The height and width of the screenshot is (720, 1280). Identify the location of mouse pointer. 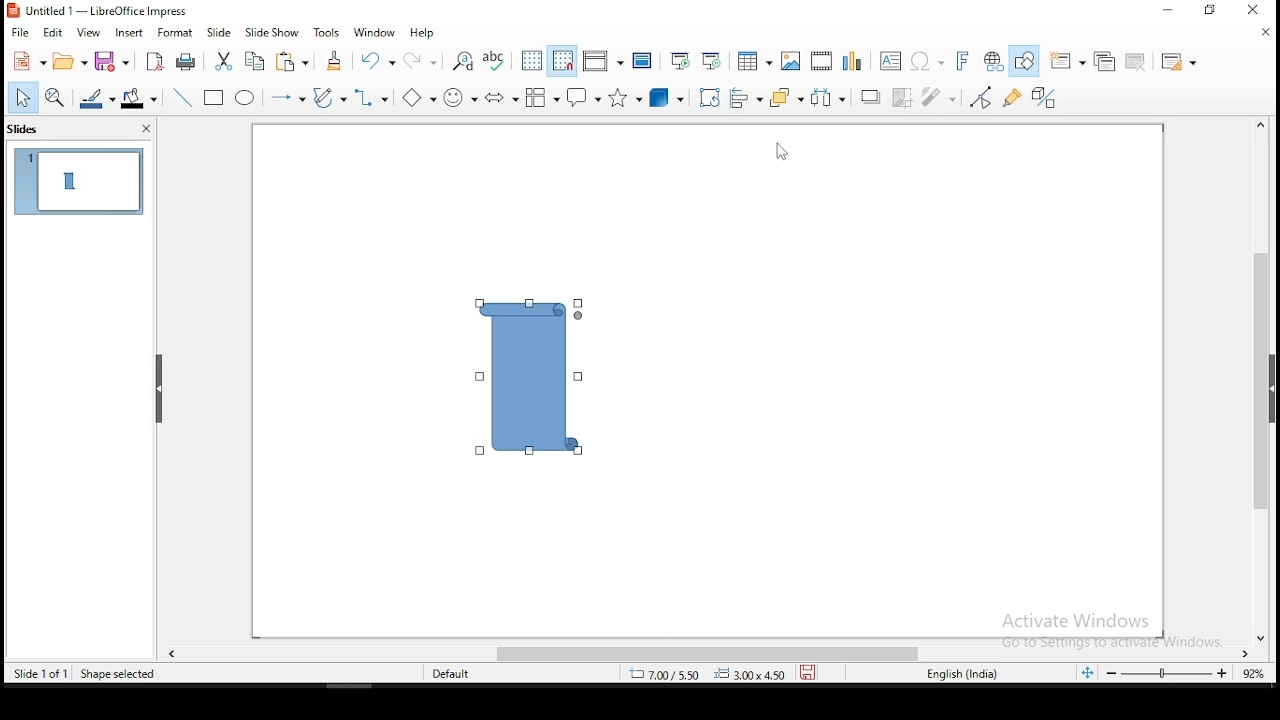
(528, 365).